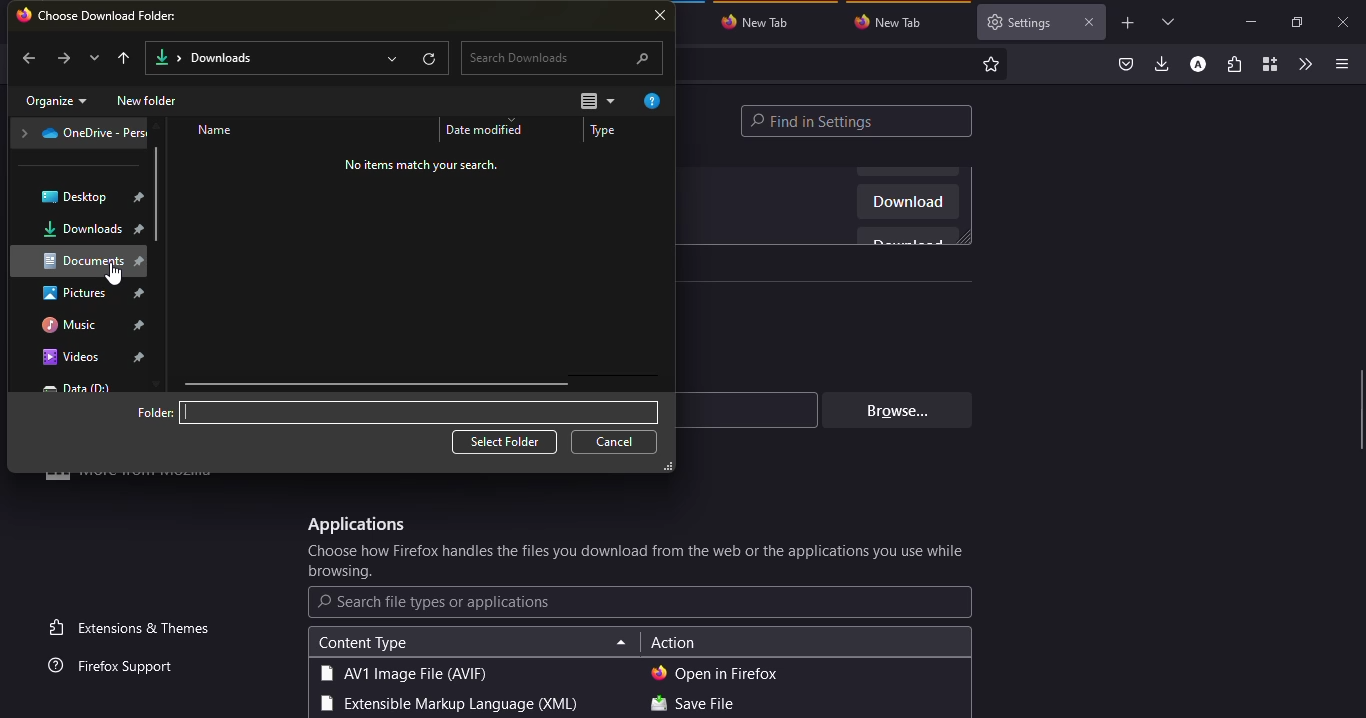 Image resolution: width=1366 pixels, height=718 pixels. I want to click on folder, so click(156, 412).